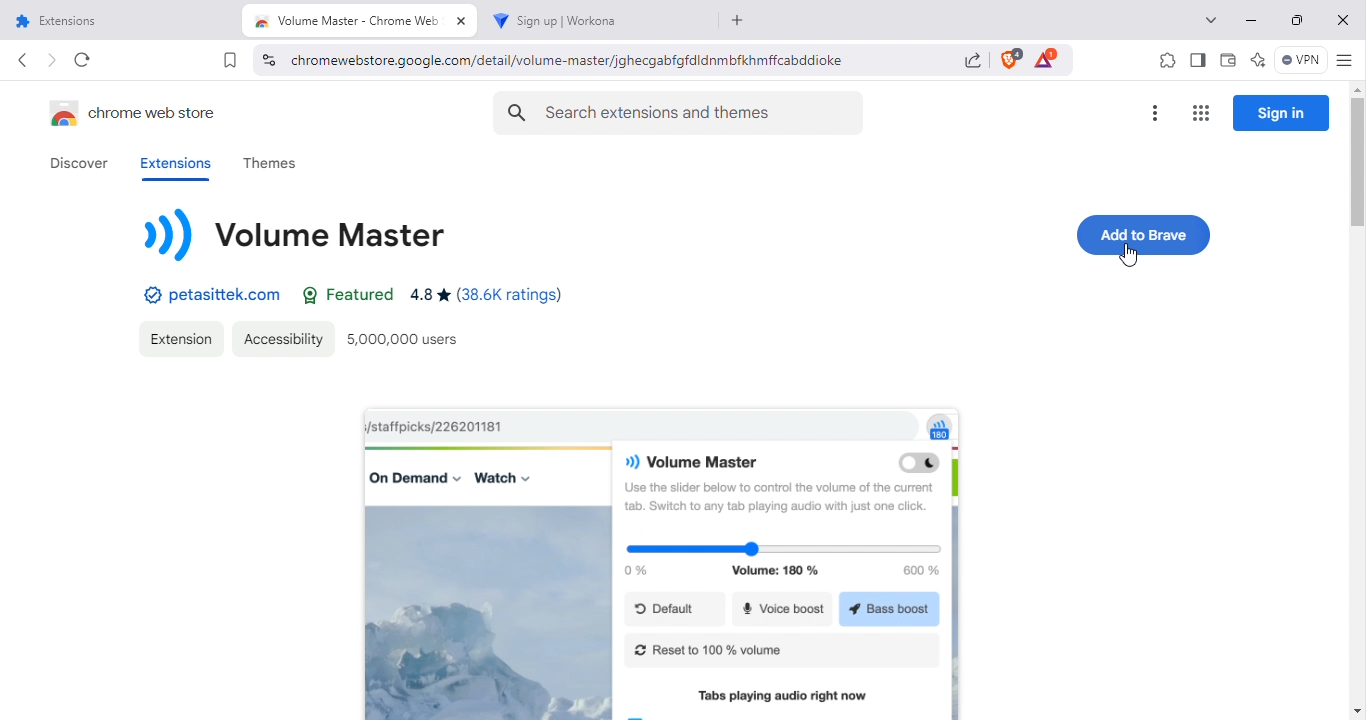 This screenshot has width=1366, height=720. What do you see at coordinates (1283, 112) in the screenshot?
I see `Sign in` at bounding box center [1283, 112].